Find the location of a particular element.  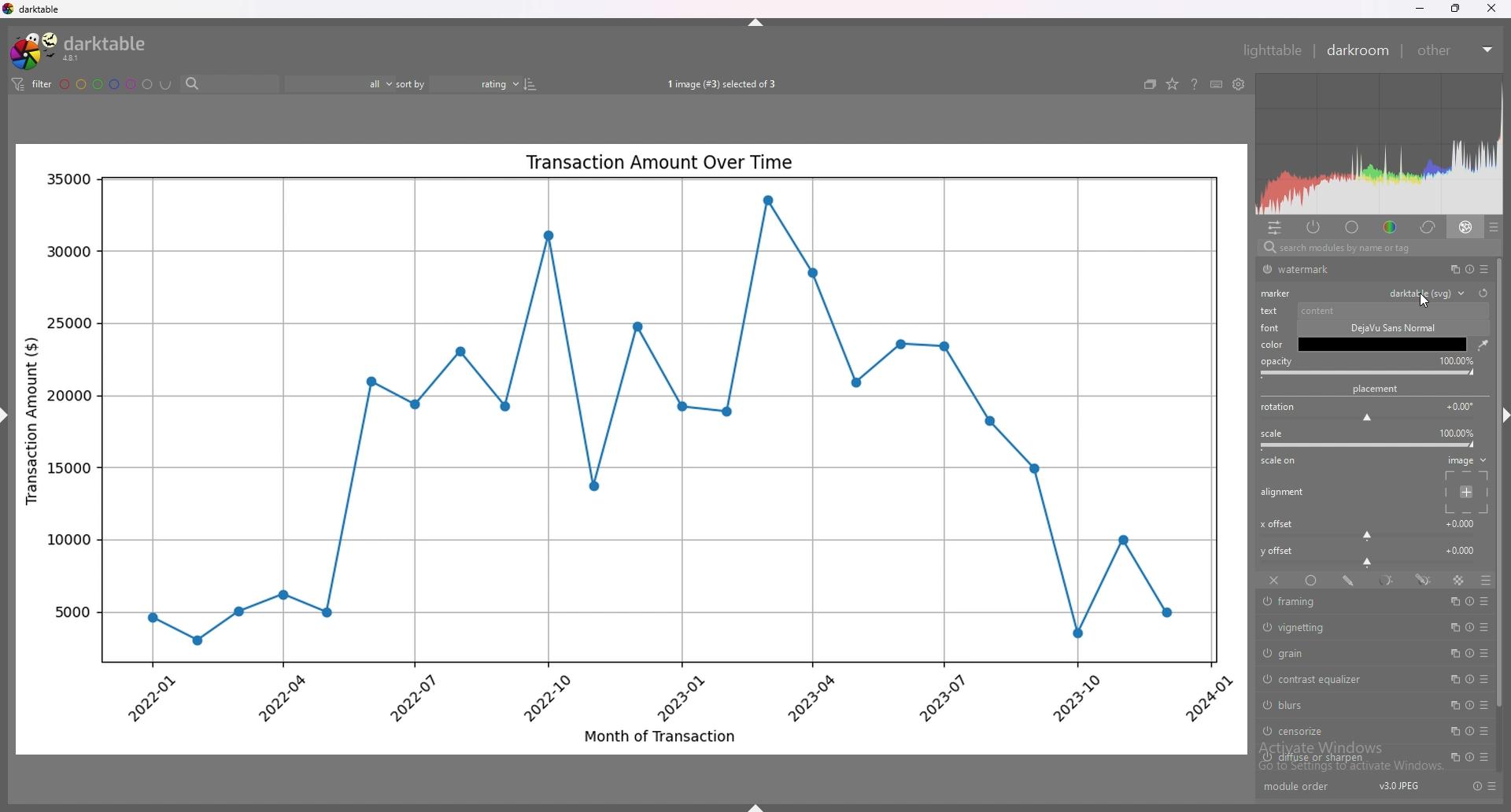

photo is located at coordinates (634, 448).